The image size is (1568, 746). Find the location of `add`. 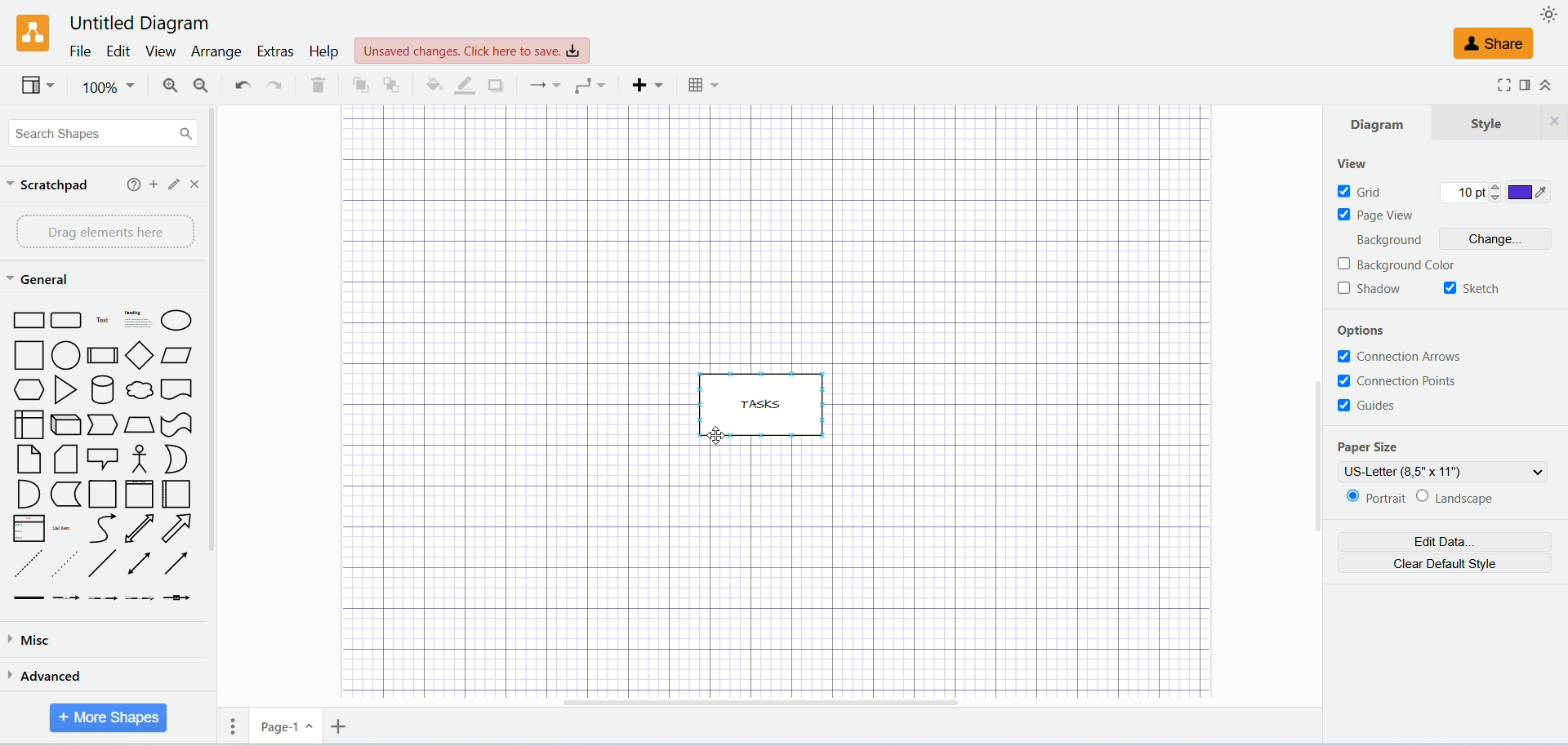

add is located at coordinates (154, 184).